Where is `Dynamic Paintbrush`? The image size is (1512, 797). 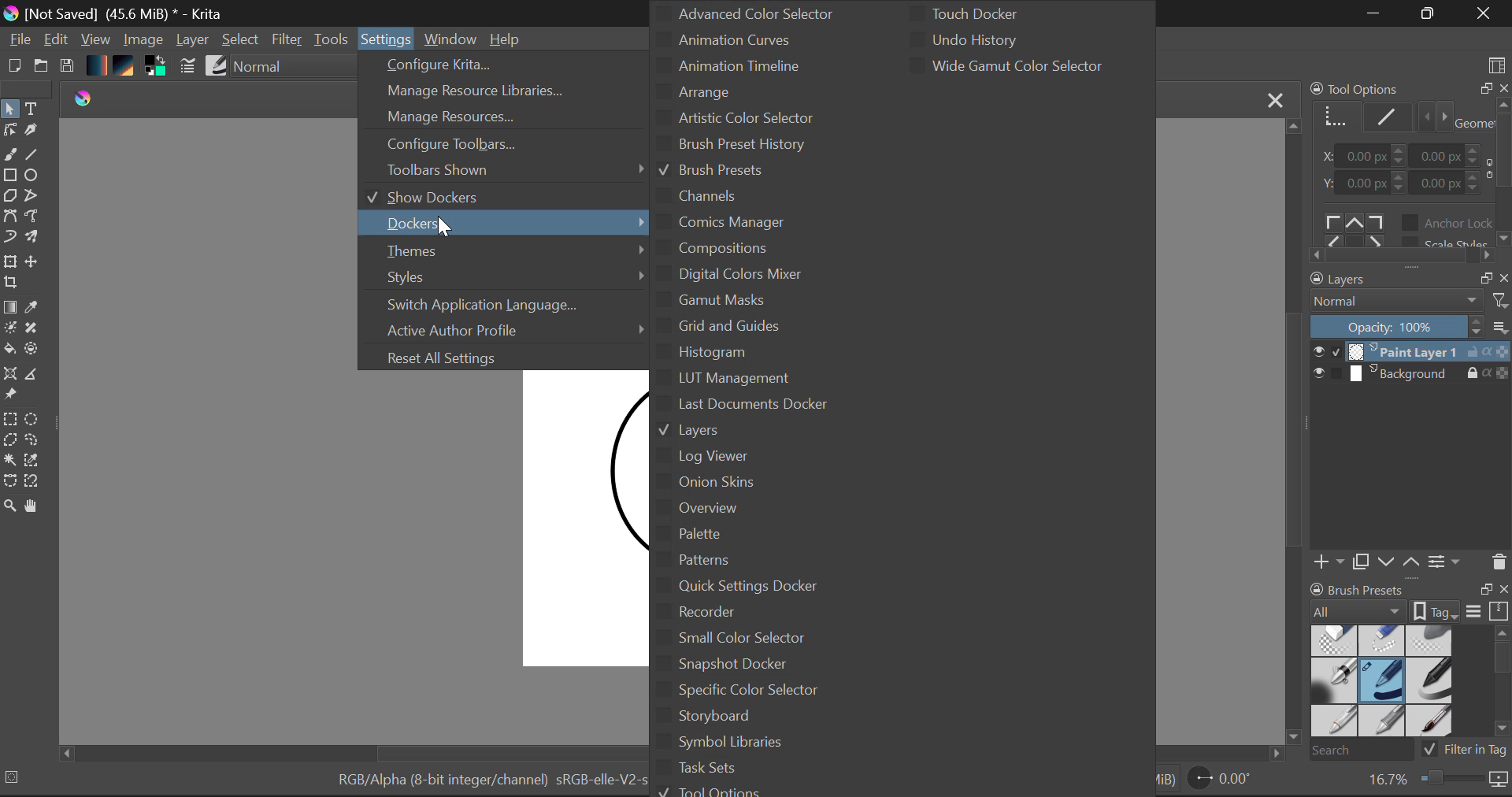
Dynamic Paintbrush is located at coordinates (9, 238).